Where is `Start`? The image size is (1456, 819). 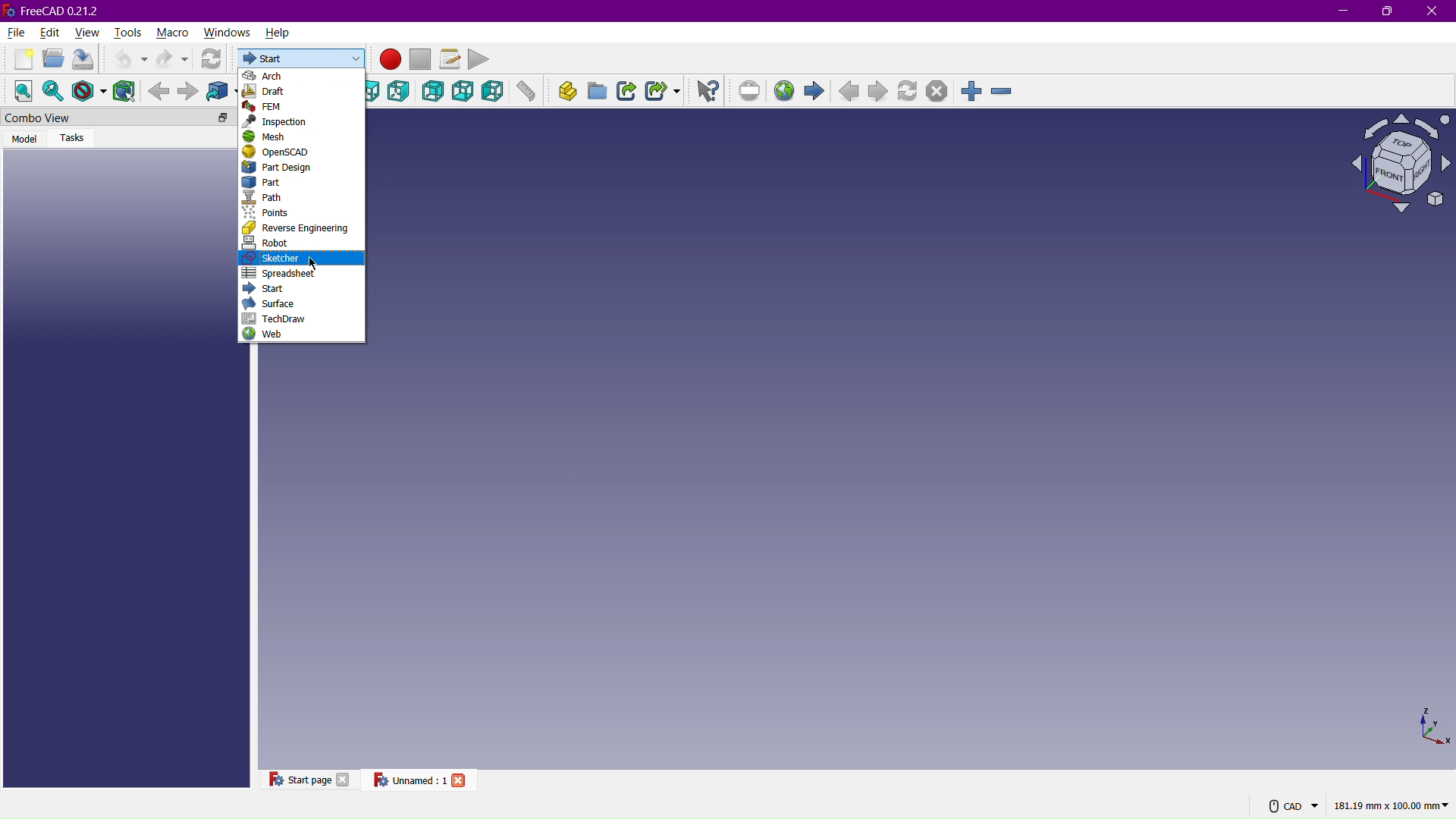 Start is located at coordinates (305, 289).